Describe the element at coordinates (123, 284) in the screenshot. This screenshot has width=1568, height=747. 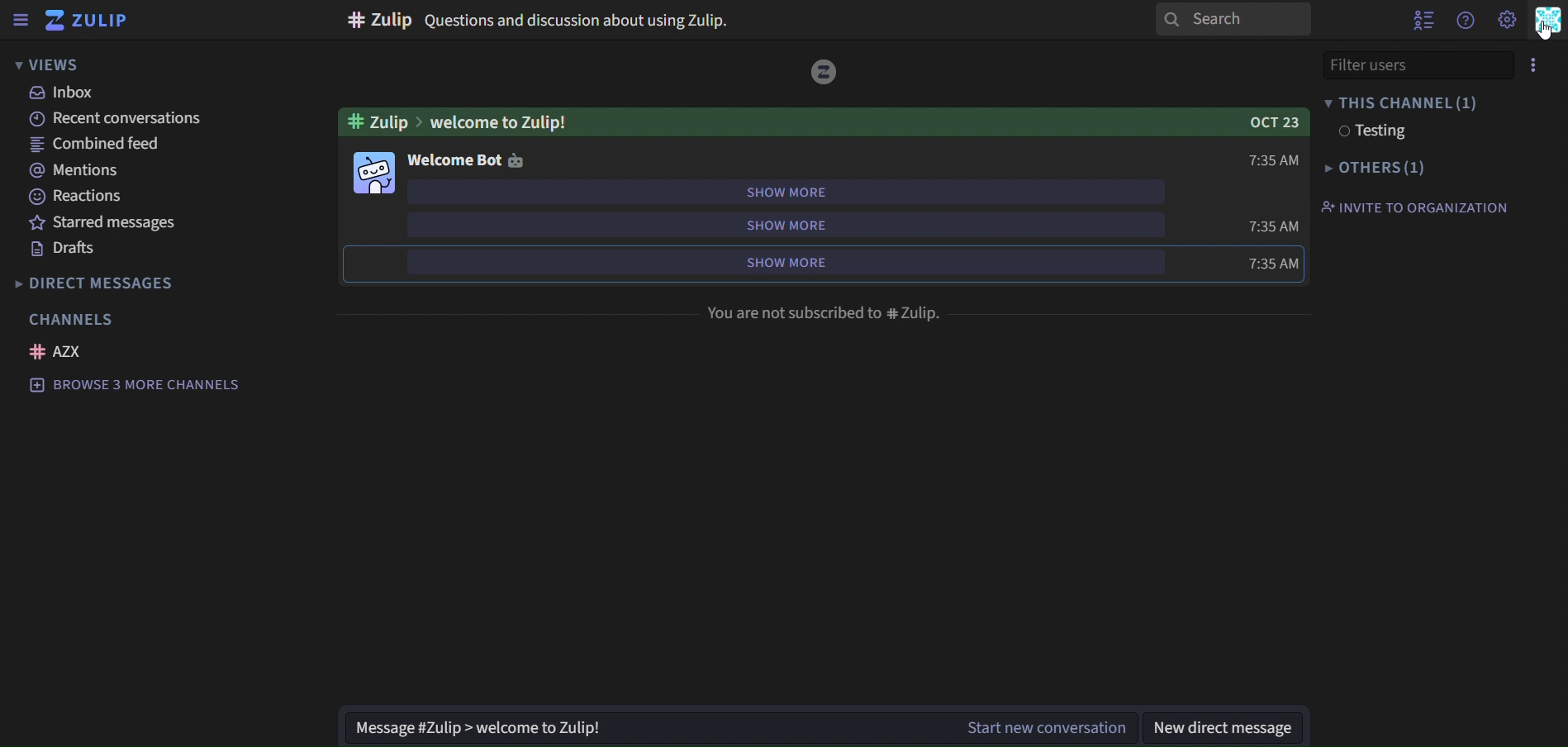
I see `direct messages` at that location.